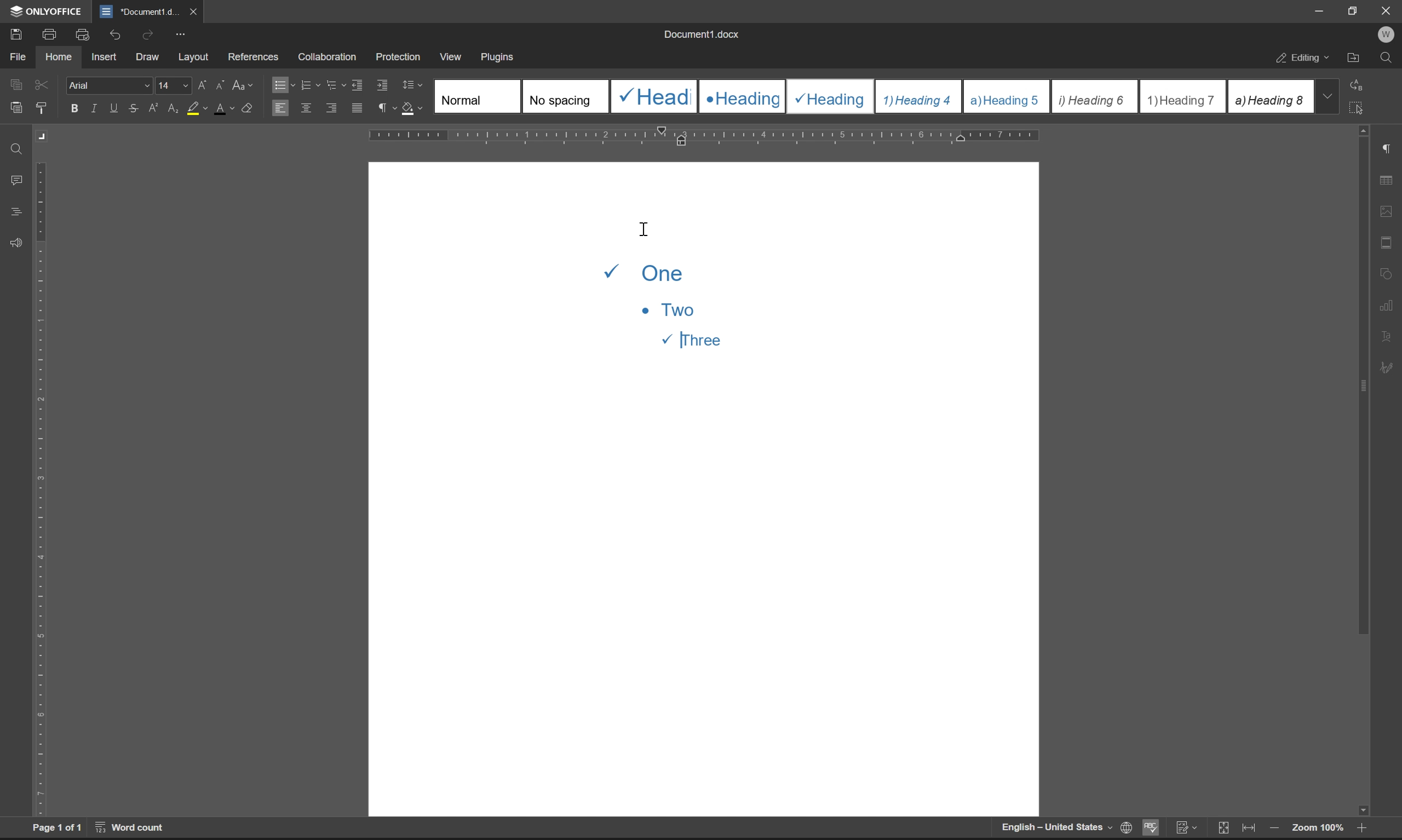  I want to click on justified, so click(358, 108).